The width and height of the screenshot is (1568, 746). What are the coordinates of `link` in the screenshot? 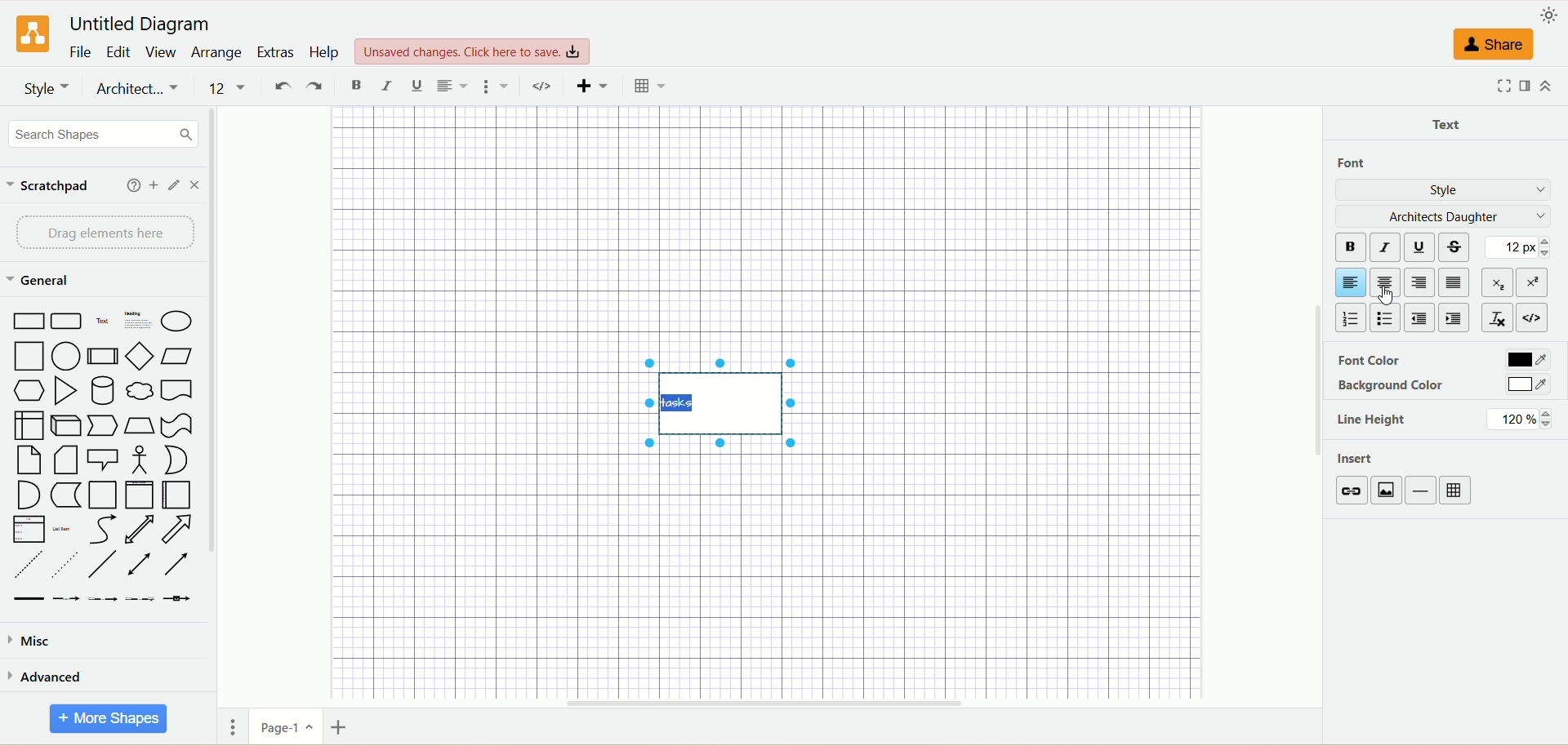 It's located at (1354, 491).